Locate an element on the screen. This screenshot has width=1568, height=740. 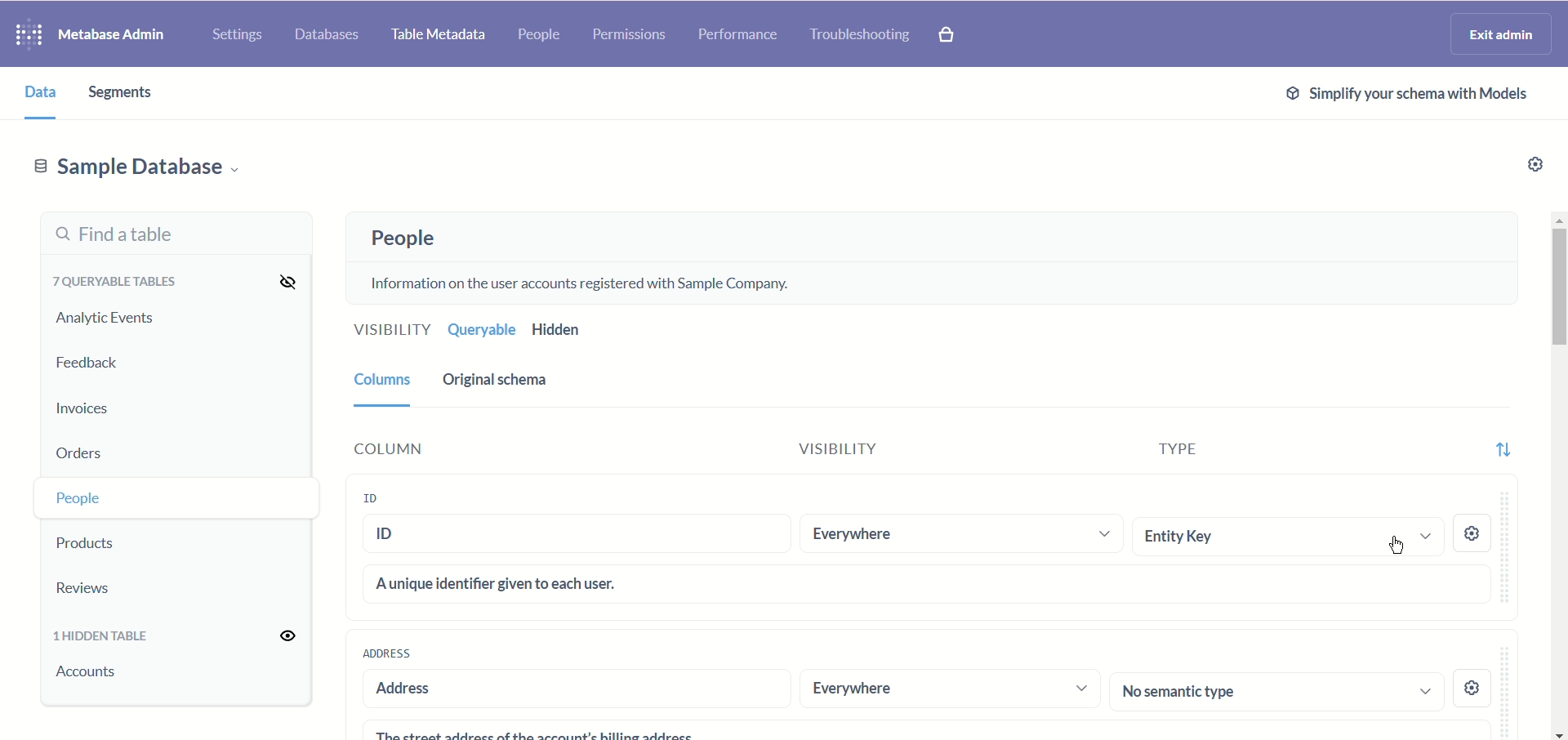
Simplify tour schema with models is located at coordinates (1403, 93).